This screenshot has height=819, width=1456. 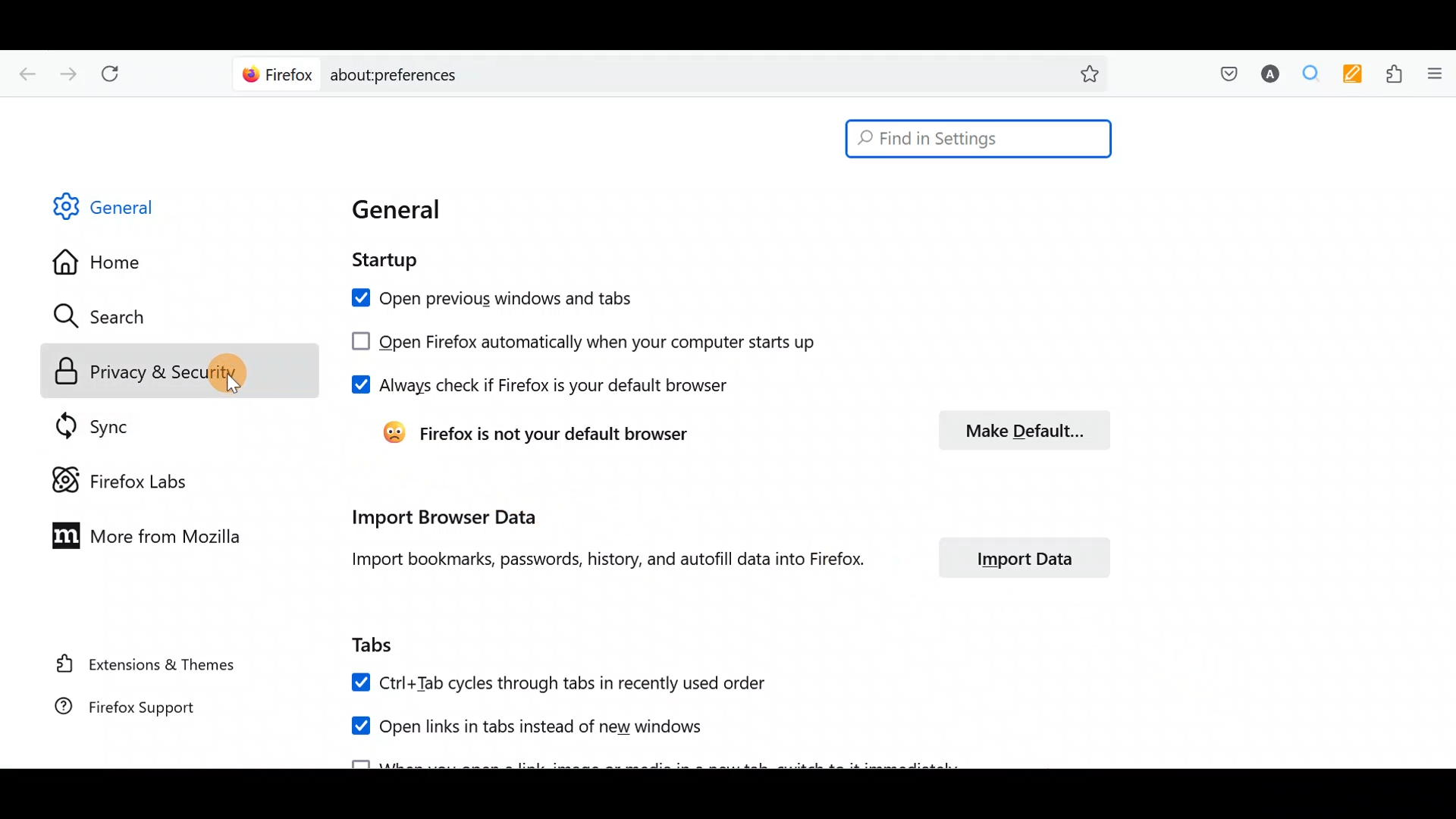 I want to click on Ctrl+ Tab cycles through tabs in recently used order, so click(x=560, y=684).